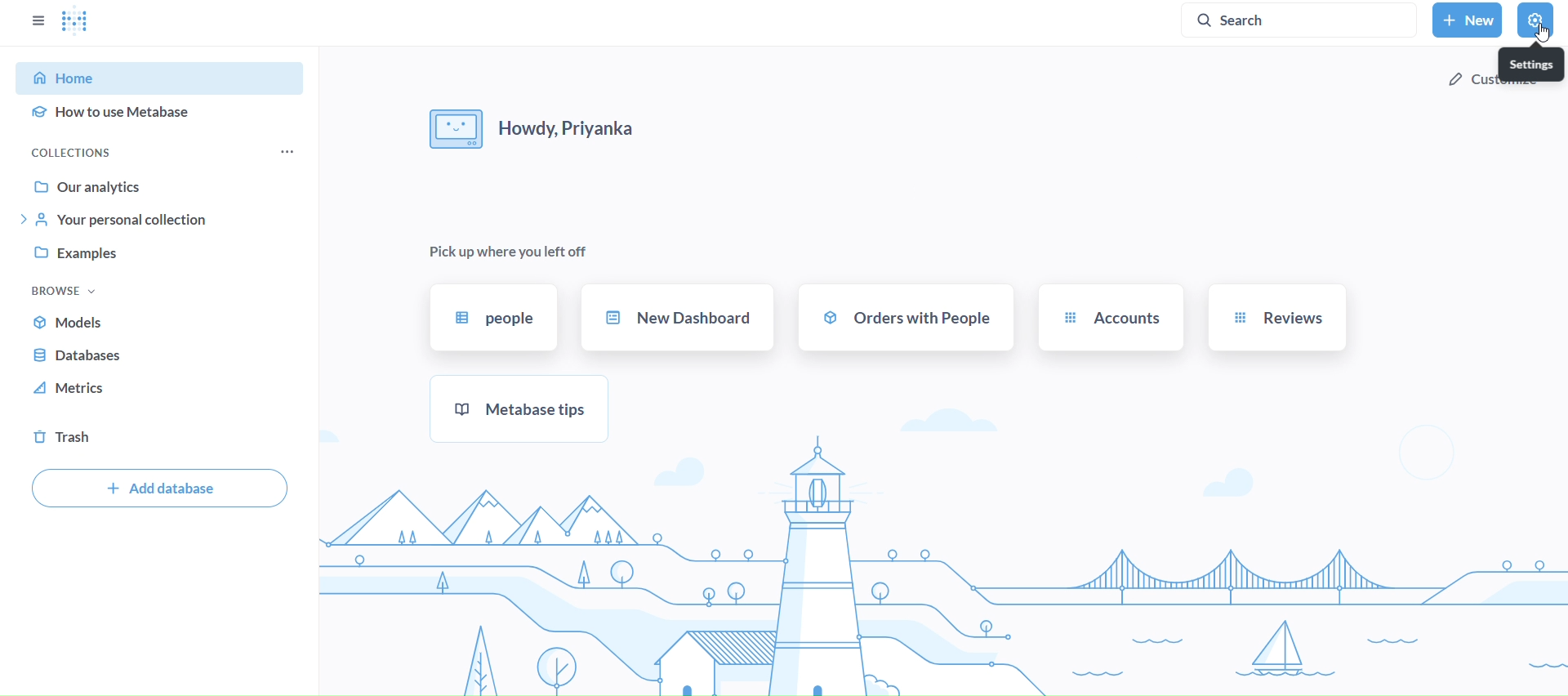  I want to click on example, so click(165, 255).